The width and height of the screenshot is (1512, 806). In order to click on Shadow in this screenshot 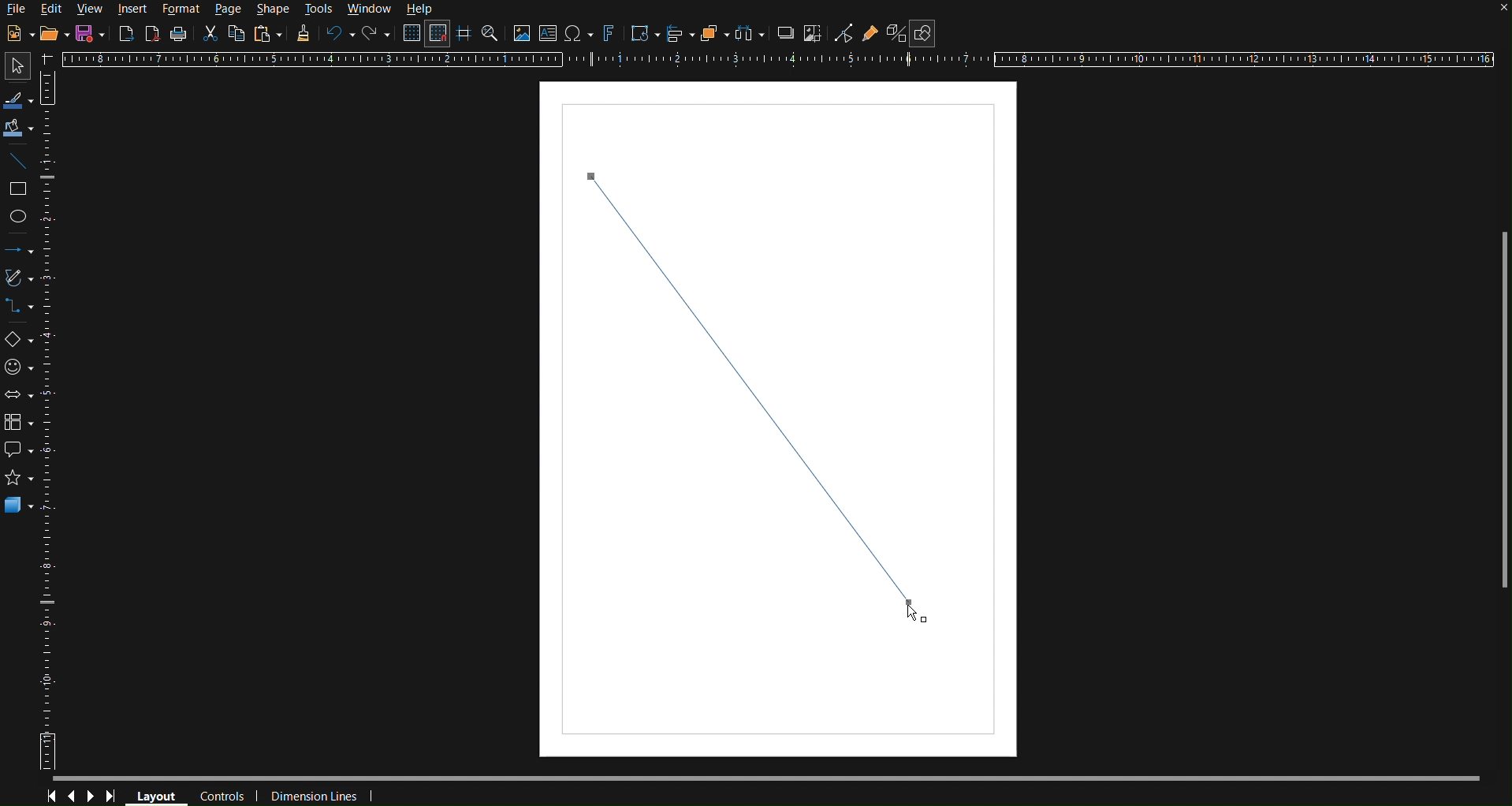, I will do `click(785, 32)`.